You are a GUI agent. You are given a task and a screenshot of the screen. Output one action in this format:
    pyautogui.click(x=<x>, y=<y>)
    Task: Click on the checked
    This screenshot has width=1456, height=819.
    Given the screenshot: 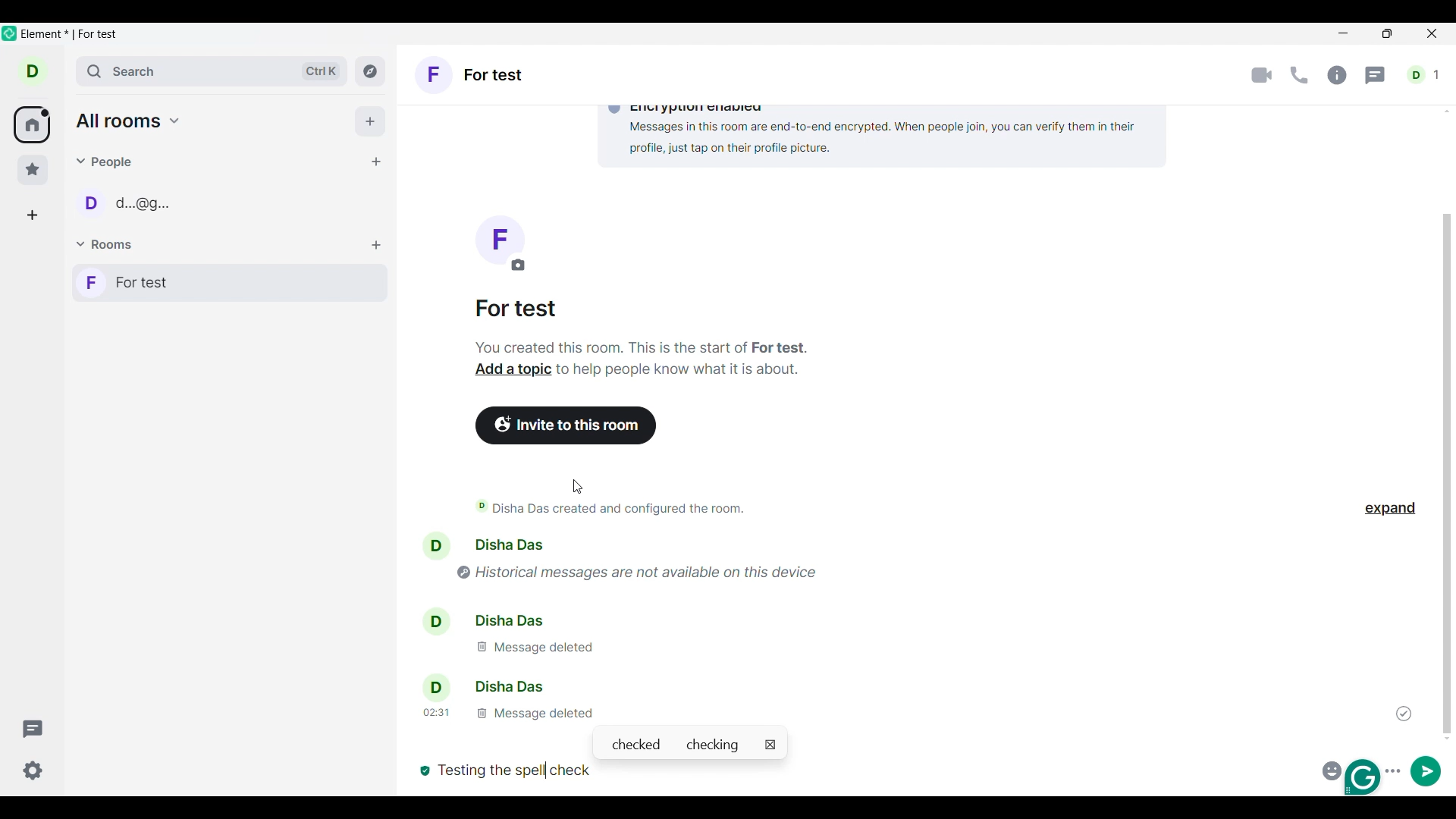 What is the action you would take?
    pyautogui.click(x=635, y=745)
    